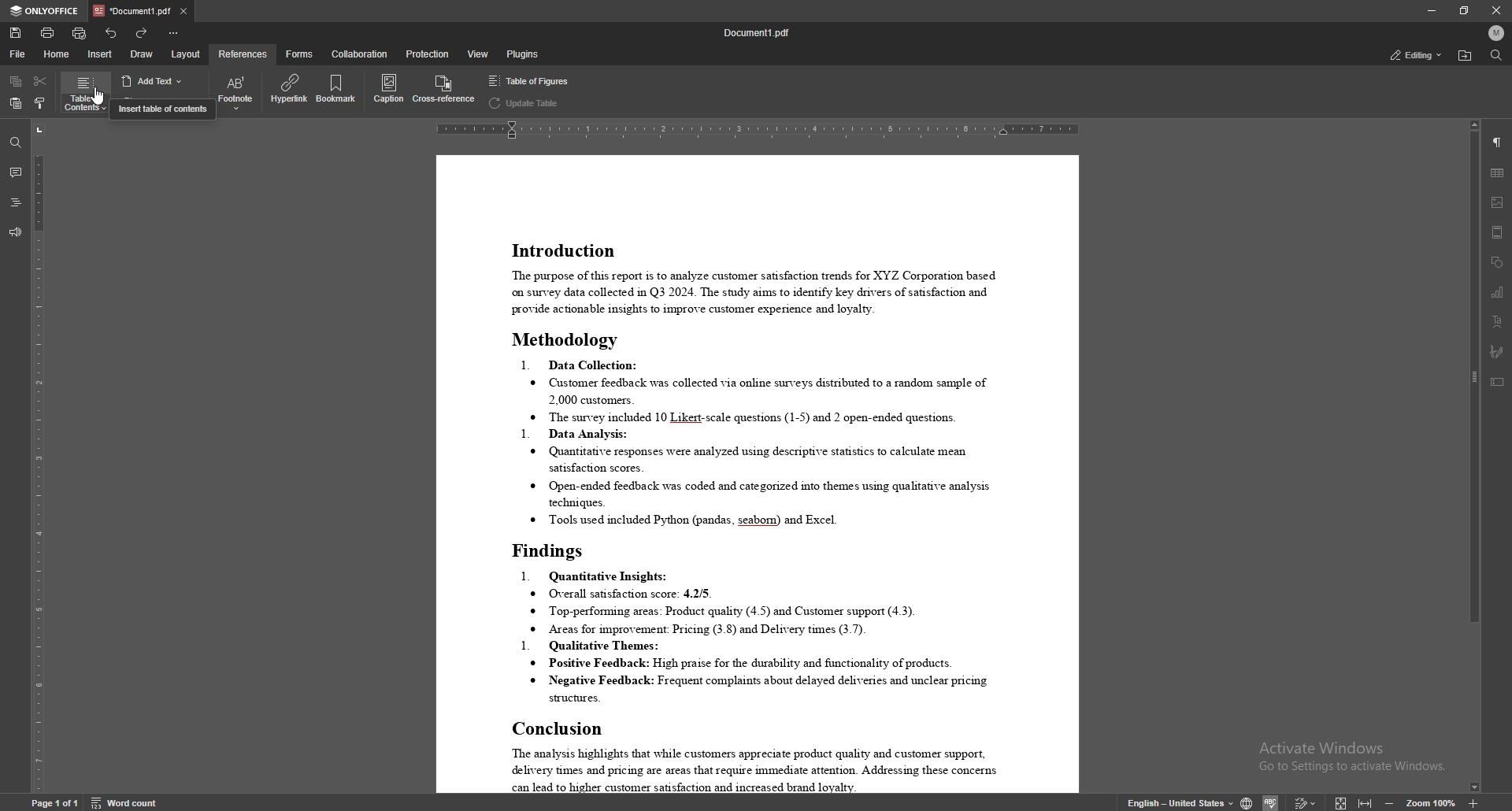 This screenshot has height=811, width=1512. I want to click on footnote, so click(235, 92).